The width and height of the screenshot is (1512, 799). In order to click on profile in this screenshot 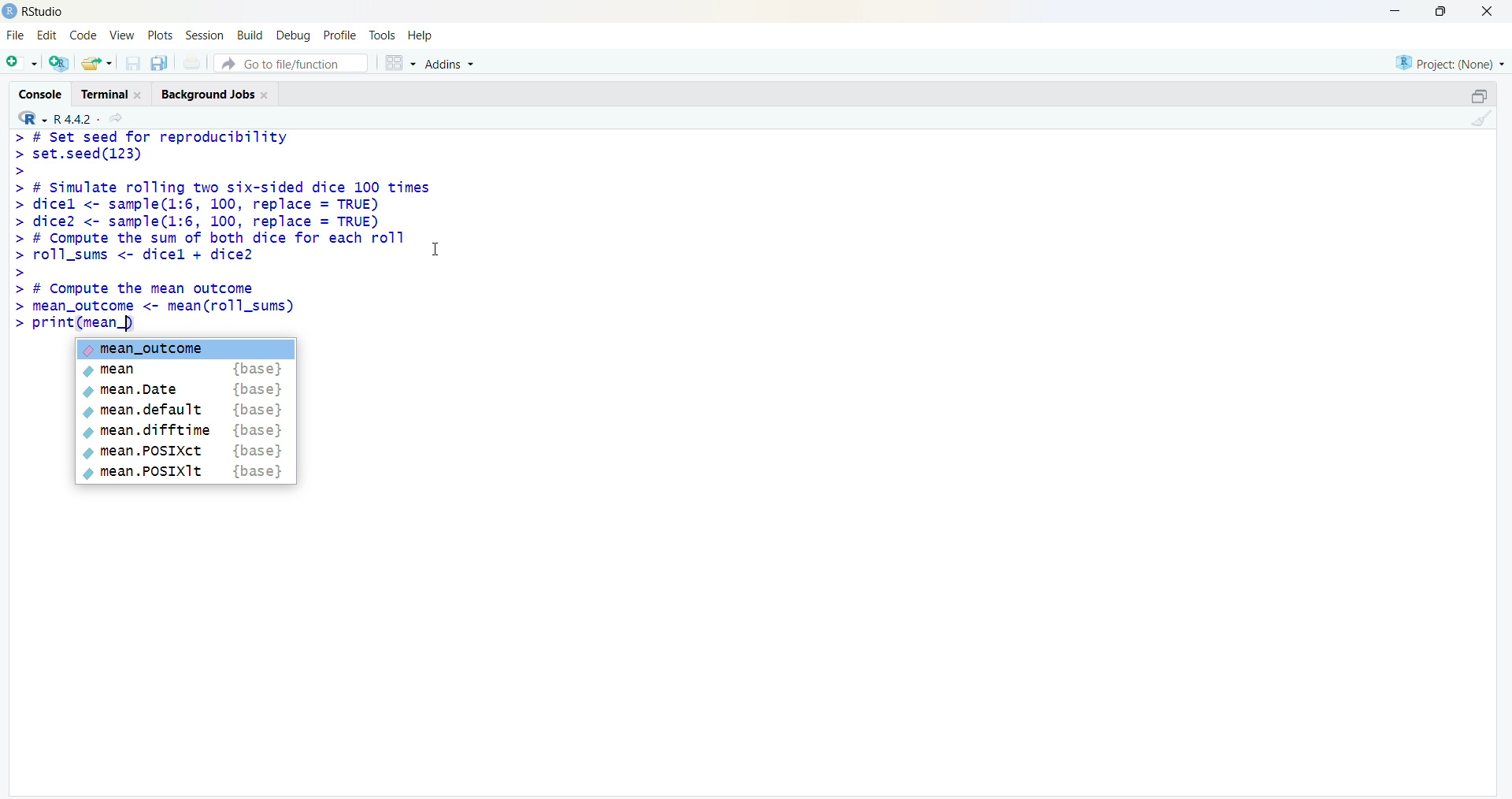, I will do `click(342, 36)`.